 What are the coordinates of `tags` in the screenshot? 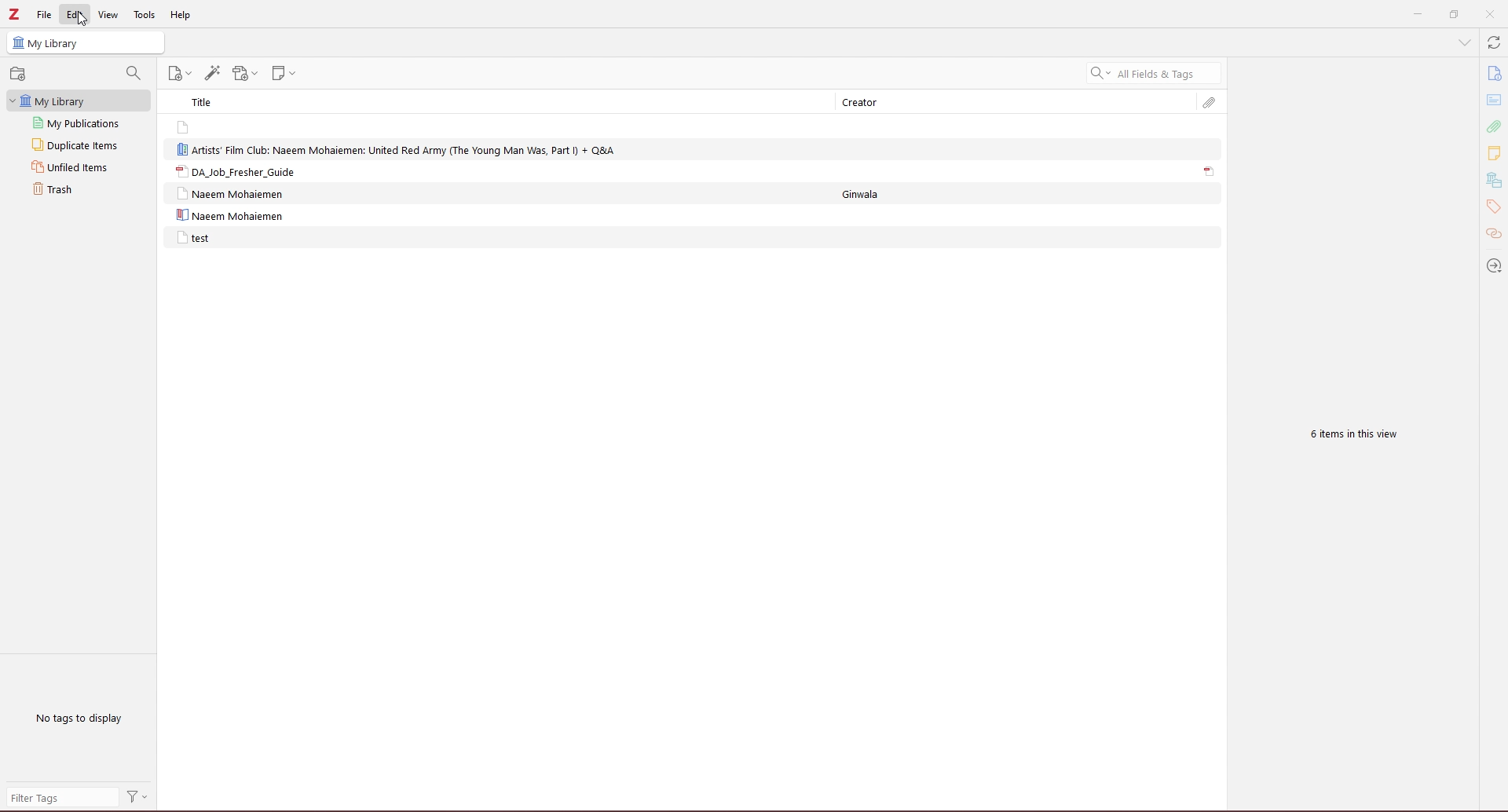 It's located at (1493, 207).